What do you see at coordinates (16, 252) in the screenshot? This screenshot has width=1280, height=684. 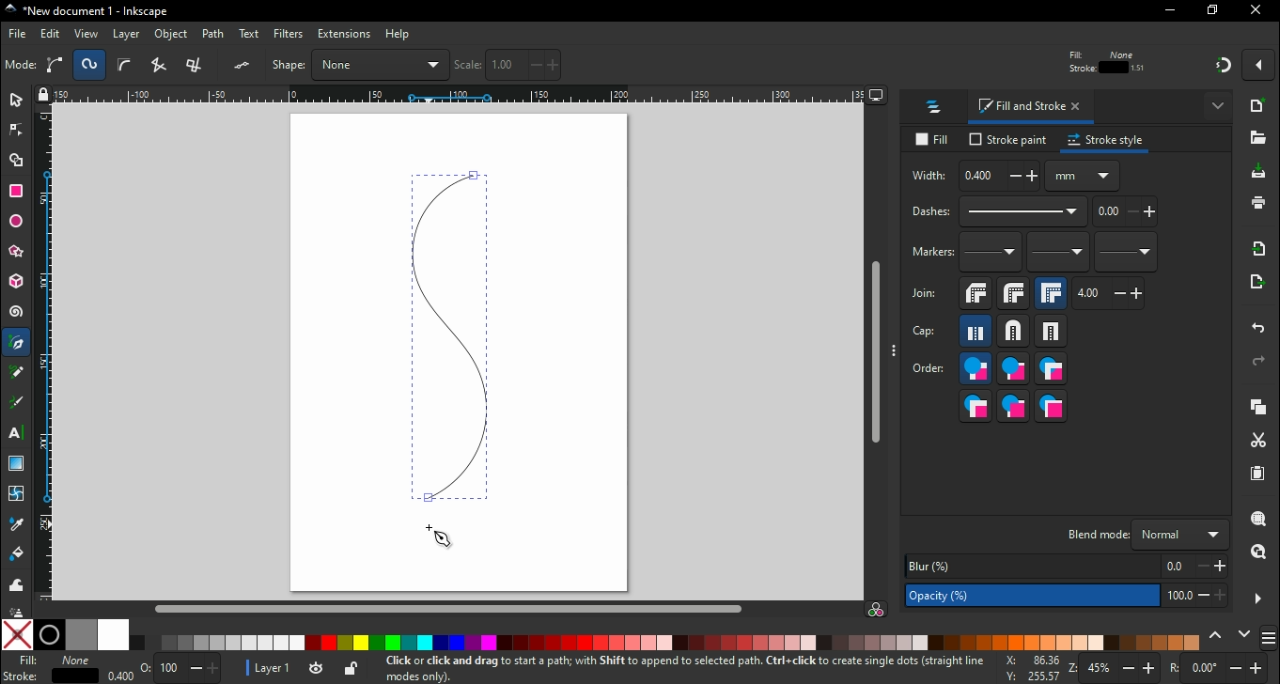 I see `star / polygon tool` at bounding box center [16, 252].